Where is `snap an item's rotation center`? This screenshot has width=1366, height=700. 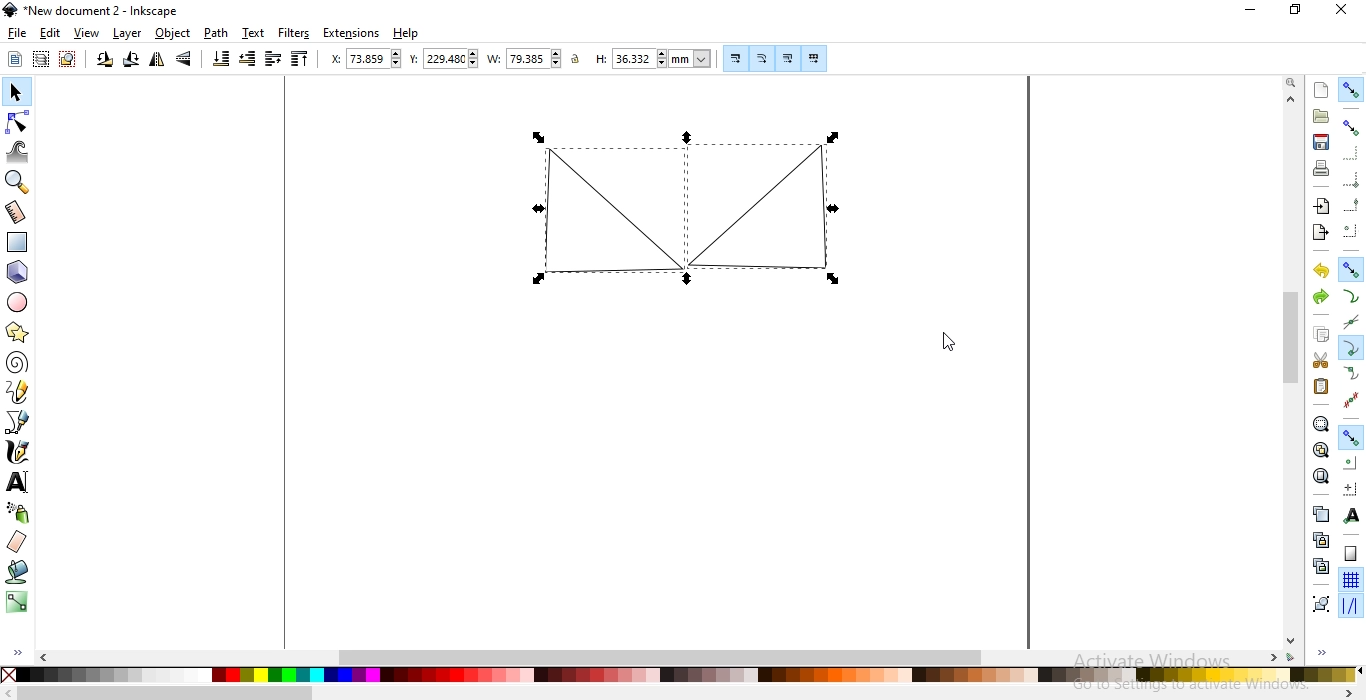 snap an item's rotation center is located at coordinates (1351, 488).